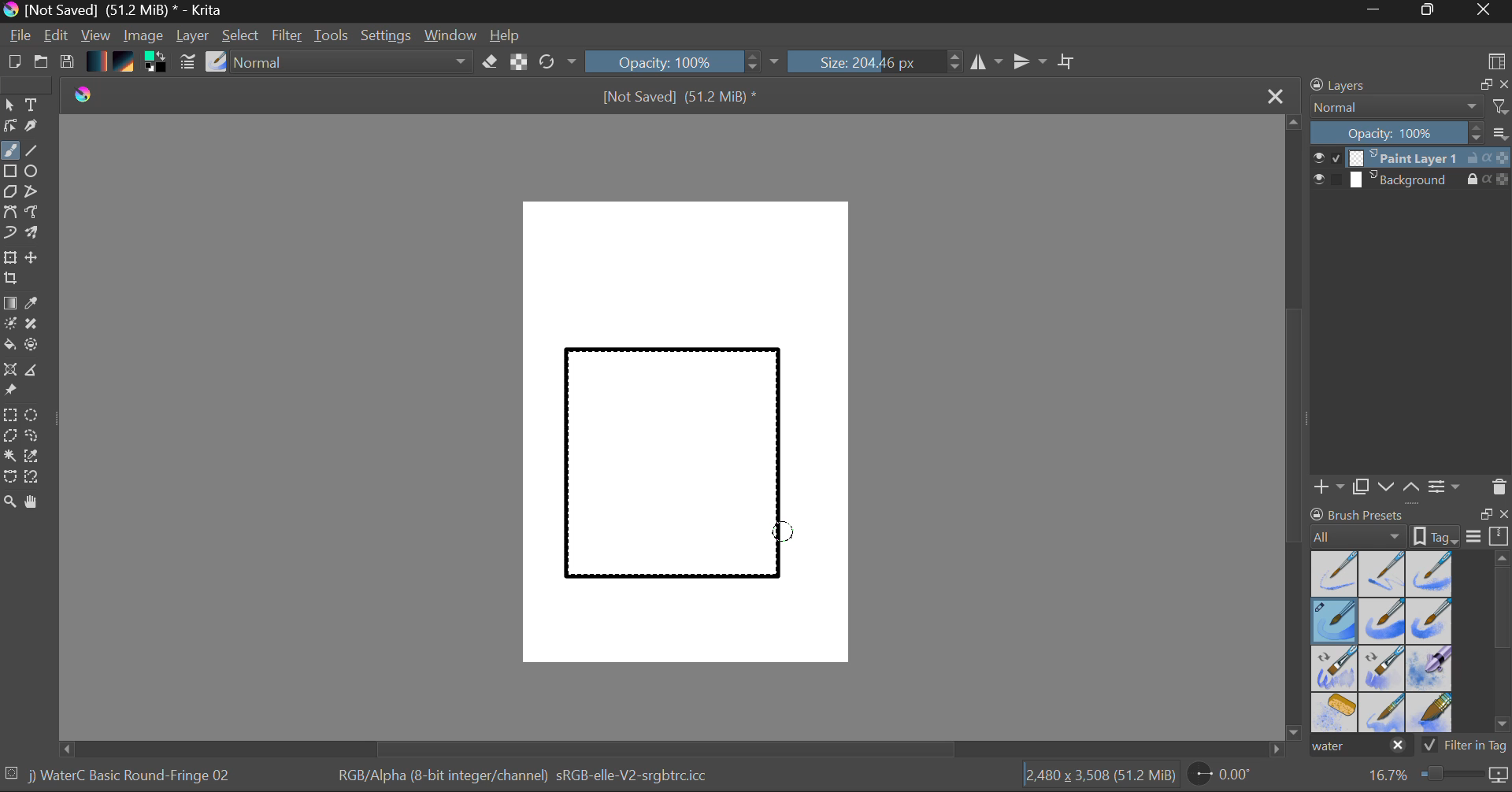 This screenshot has width=1512, height=792. What do you see at coordinates (1411, 180) in the screenshot?
I see `Background Layer` at bounding box center [1411, 180].